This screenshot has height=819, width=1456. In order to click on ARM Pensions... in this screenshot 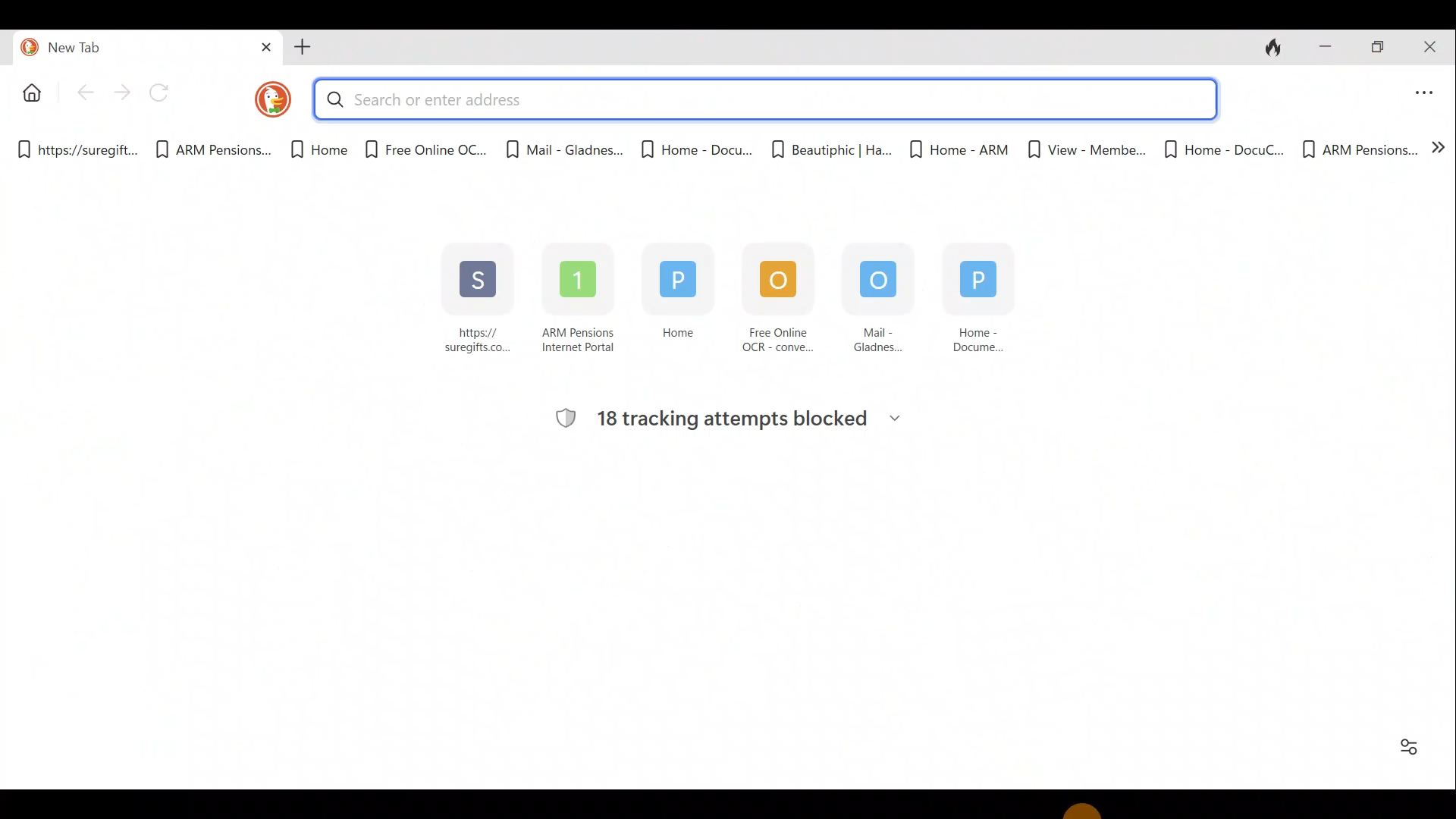, I will do `click(1359, 147)`.